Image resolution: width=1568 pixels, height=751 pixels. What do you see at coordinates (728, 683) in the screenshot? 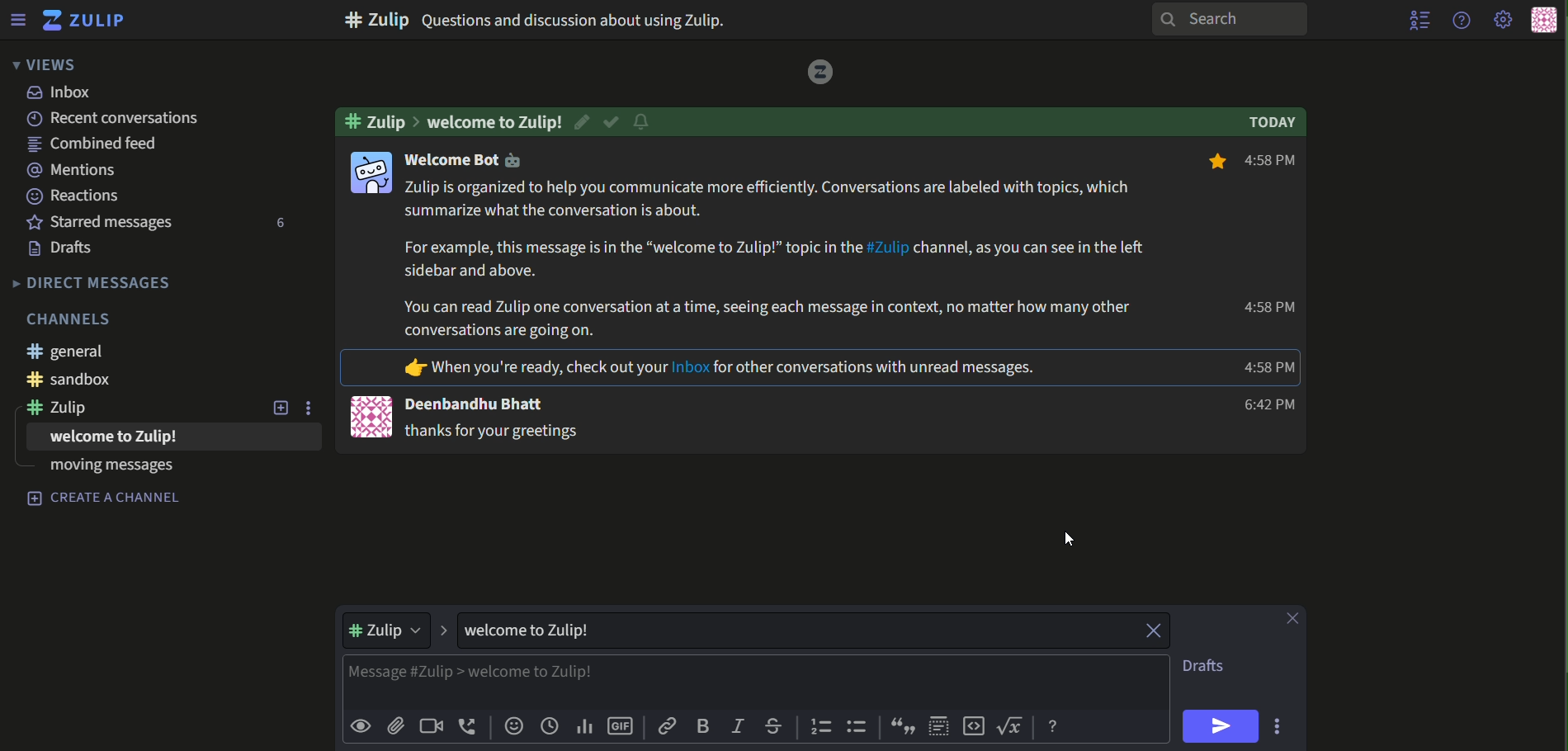
I see `textbox` at bounding box center [728, 683].